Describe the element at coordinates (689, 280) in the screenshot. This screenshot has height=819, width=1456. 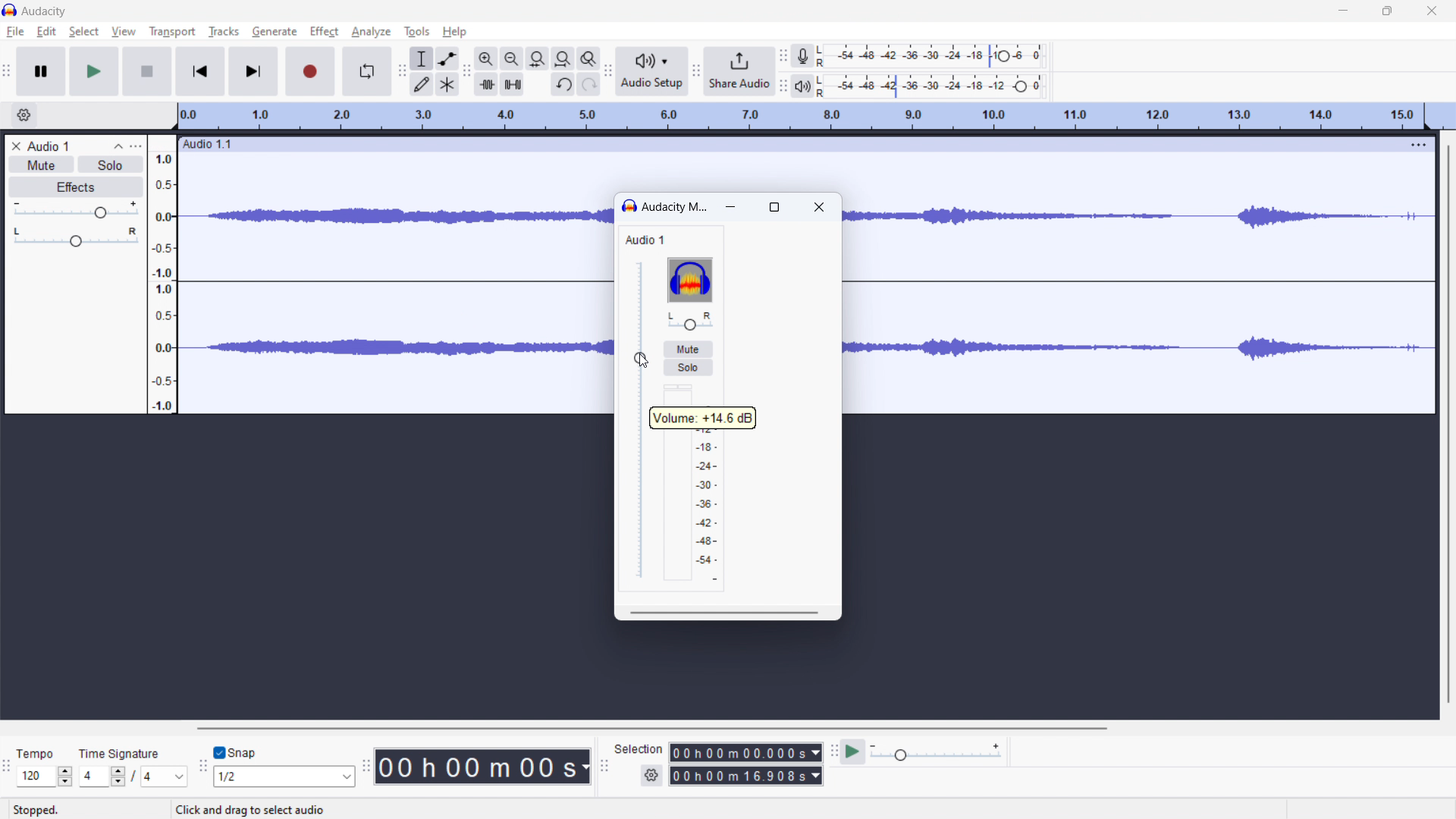
I see `logo` at that location.